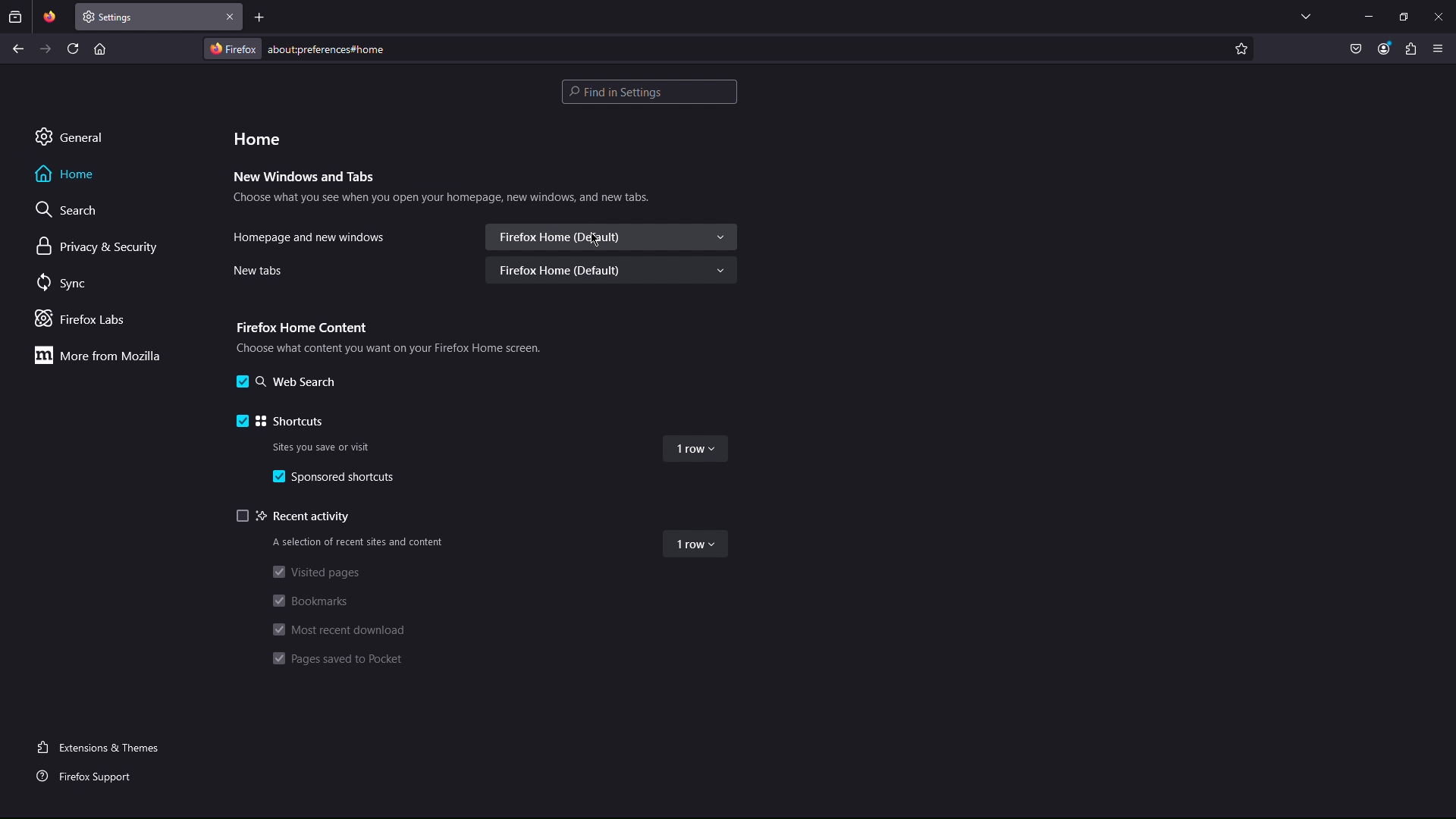 Image resolution: width=1456 pixels, height=819 pixels. I want to click on Pages saved to Pocket, so click(337, 659).